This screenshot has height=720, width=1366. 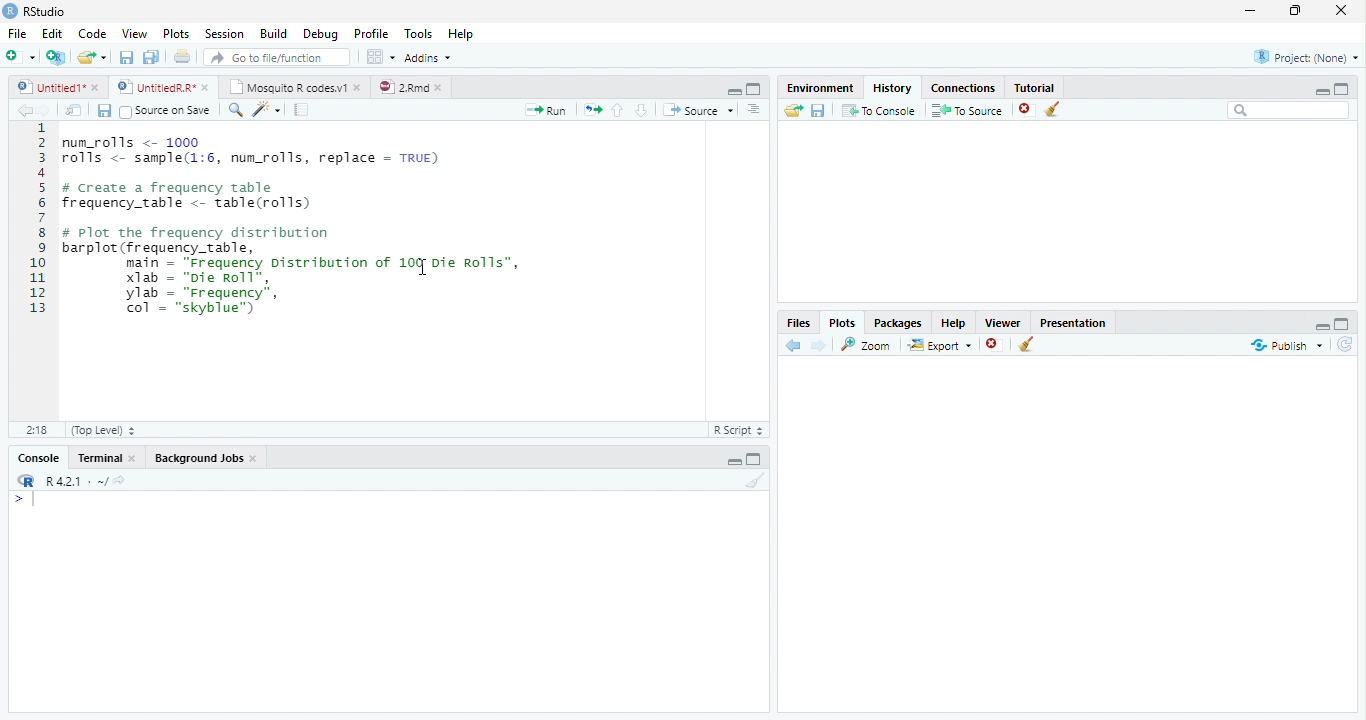 What do you see at coordinates (386, 601) in the screenshot?
I see `Console` at bounding box center [386, 601].